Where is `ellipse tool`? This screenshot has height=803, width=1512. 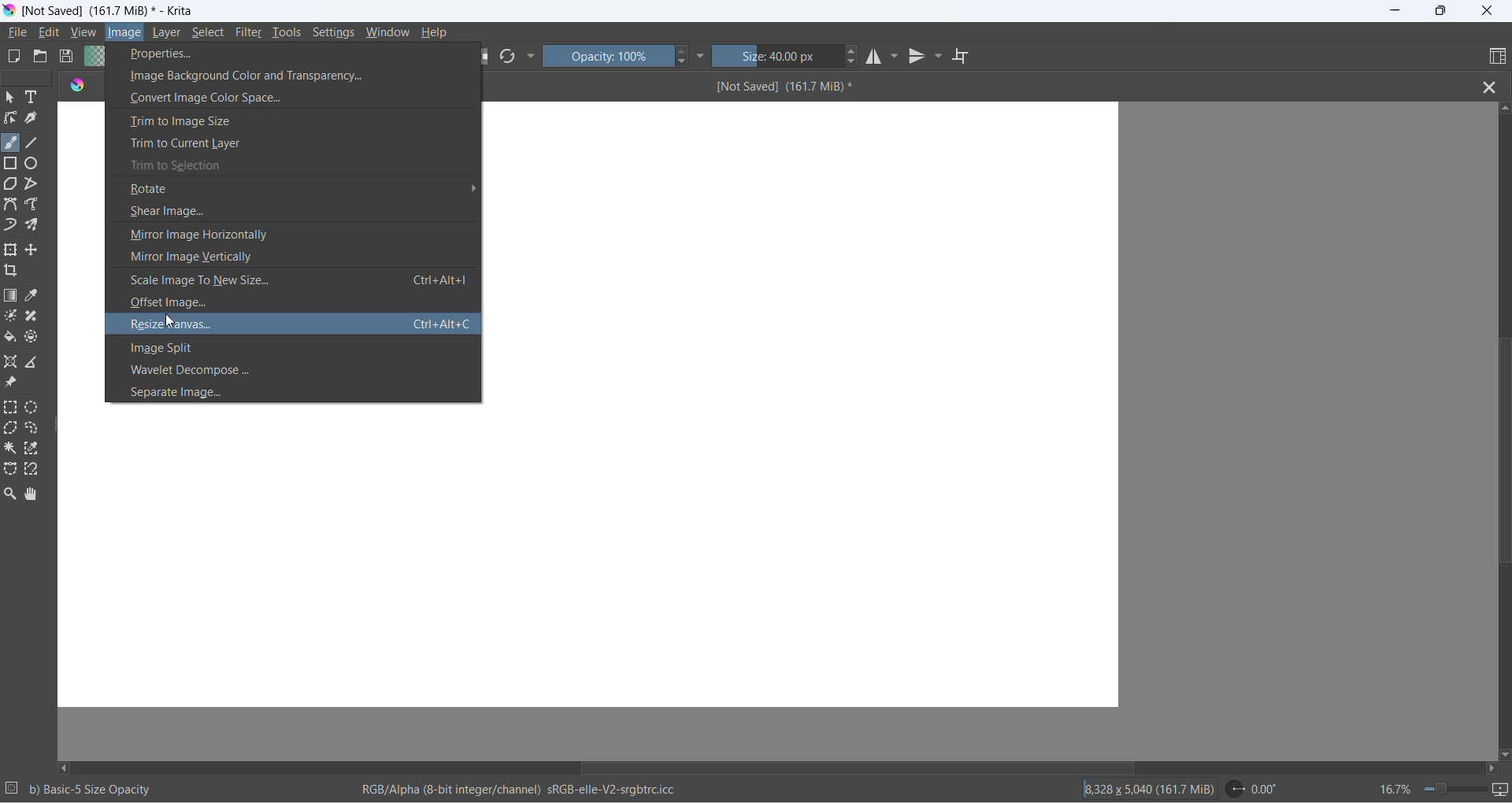
ellipse tool is located at coordinates (32, 162).